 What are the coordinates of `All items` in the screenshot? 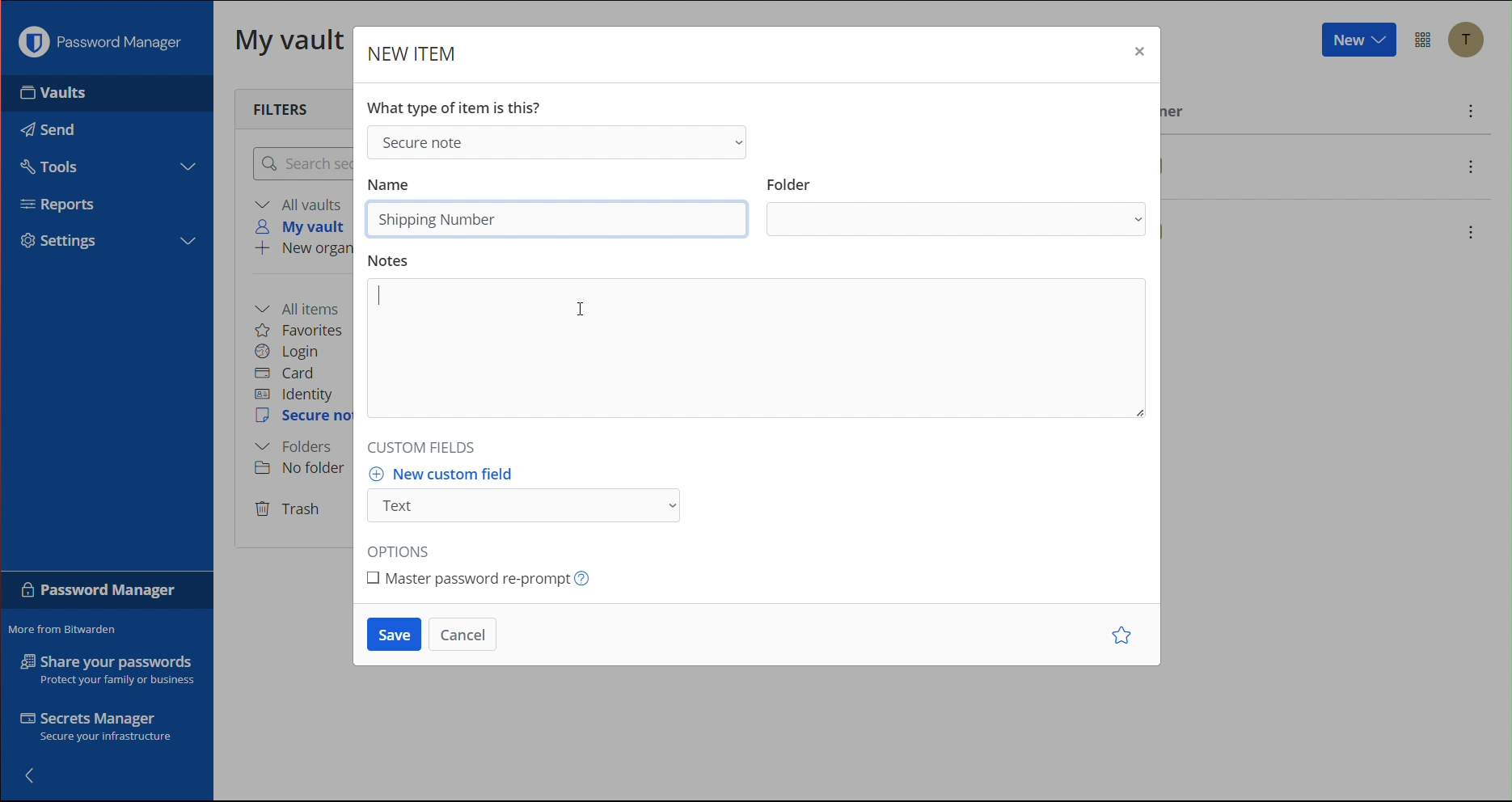 It's located at (305, 306).